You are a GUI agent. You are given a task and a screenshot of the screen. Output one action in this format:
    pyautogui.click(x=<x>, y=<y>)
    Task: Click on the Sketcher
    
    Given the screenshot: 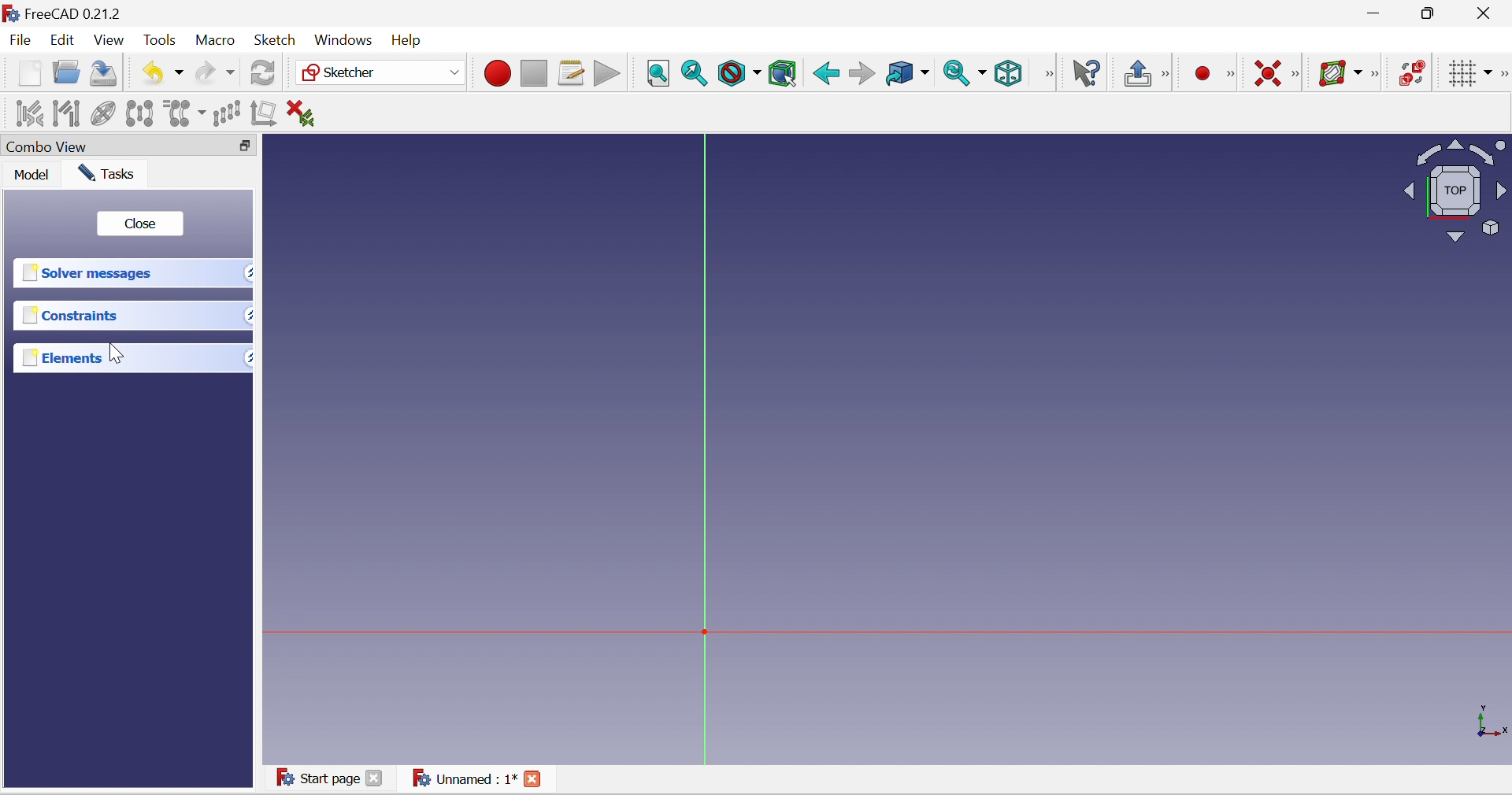 What is the action you would take?
    pyautogui.click(x=379, y=72)
    